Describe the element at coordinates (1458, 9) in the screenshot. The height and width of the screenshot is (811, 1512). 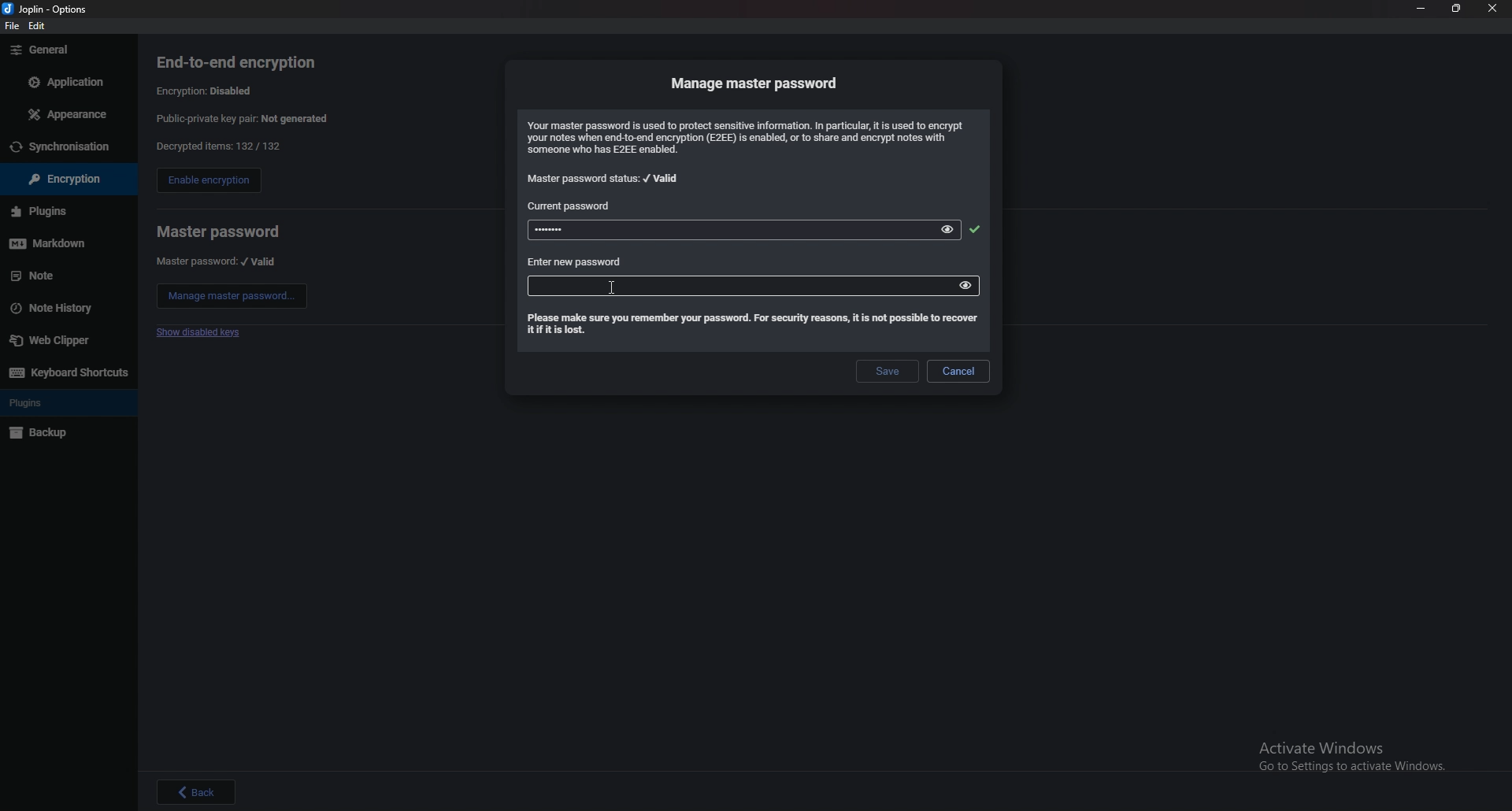
I see `resize` at that location.